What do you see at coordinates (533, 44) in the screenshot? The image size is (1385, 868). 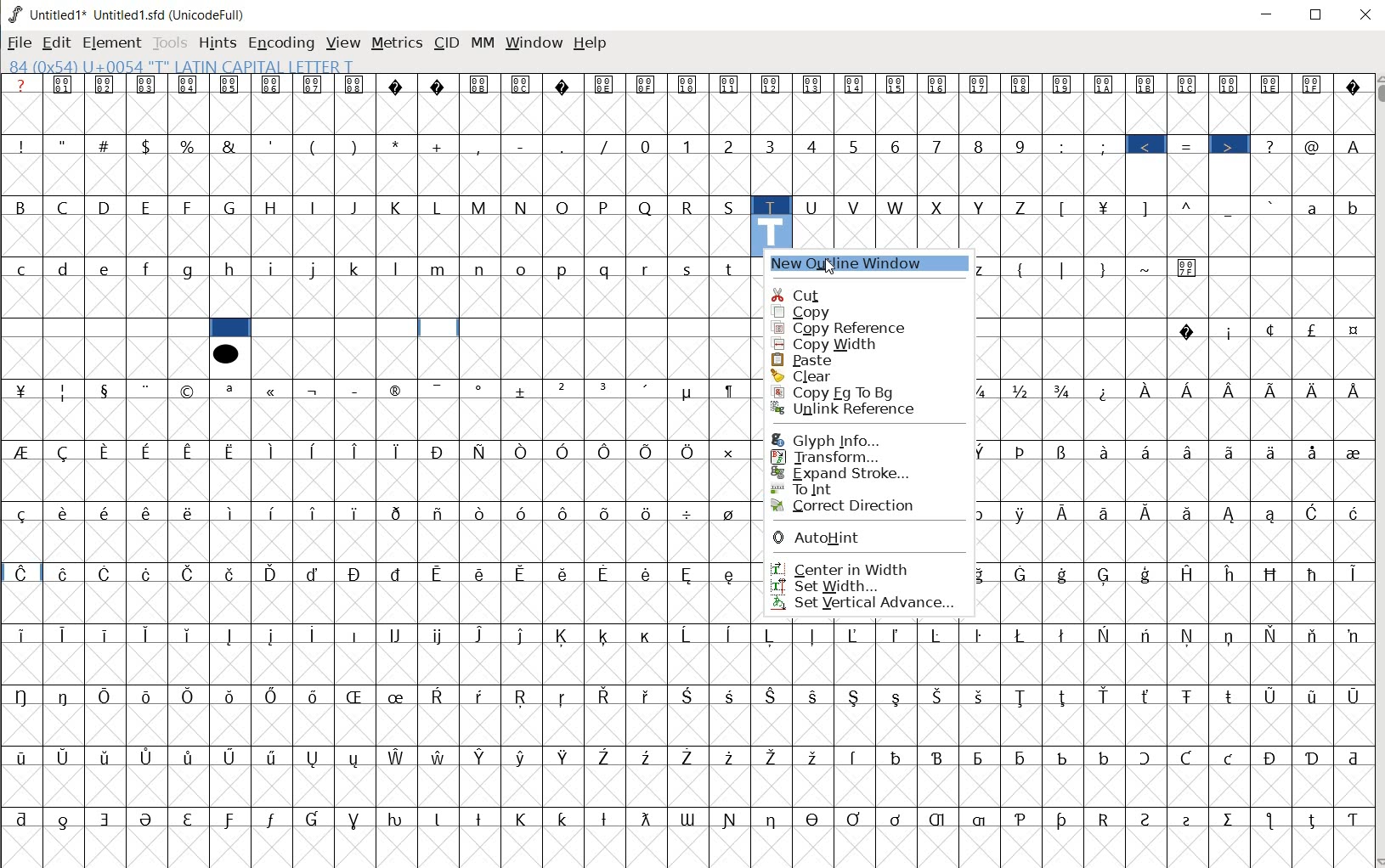 I see `window` at bounding box center [533, 44].